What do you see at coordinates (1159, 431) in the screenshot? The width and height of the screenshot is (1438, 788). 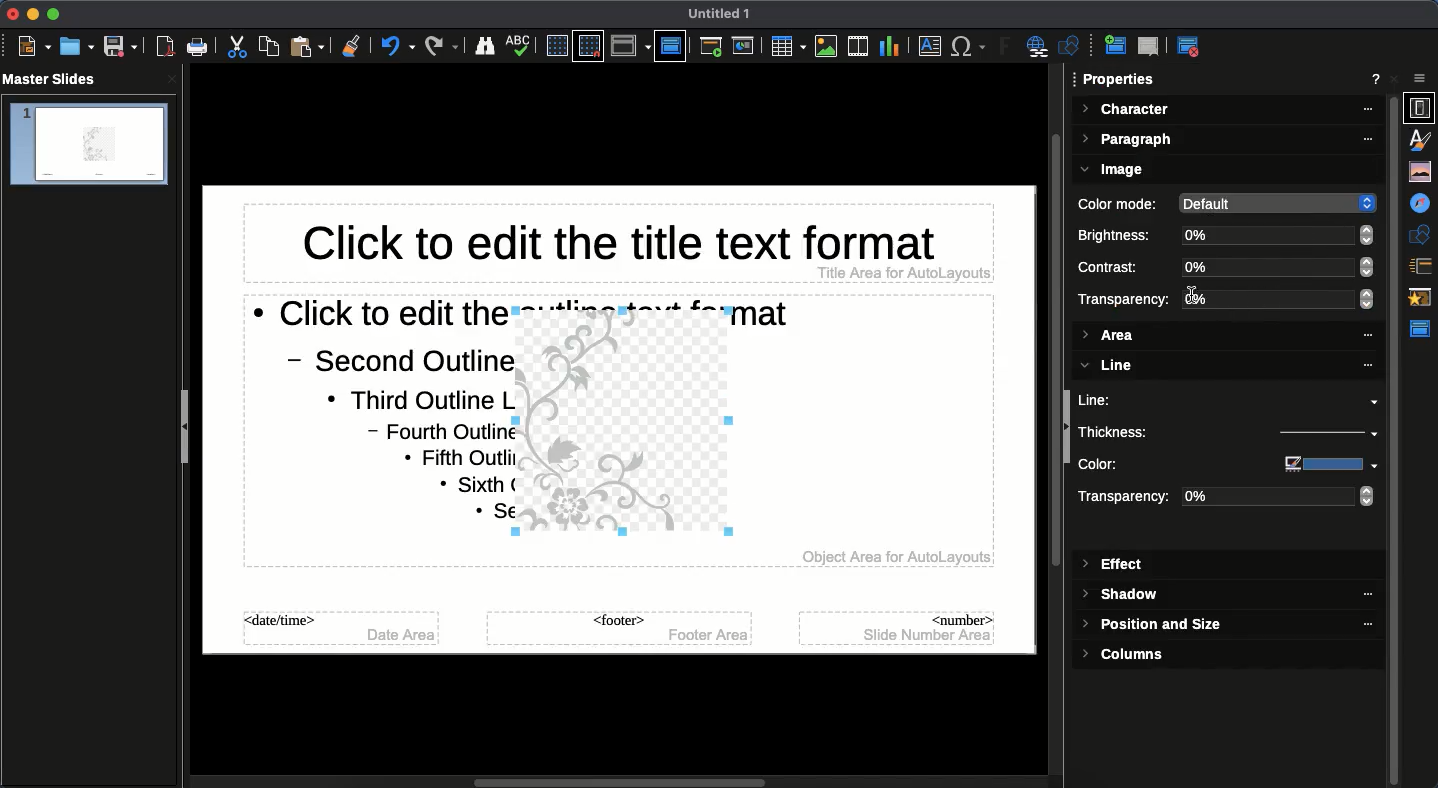 I see `Thickness` at bounding box center [1159, 431].